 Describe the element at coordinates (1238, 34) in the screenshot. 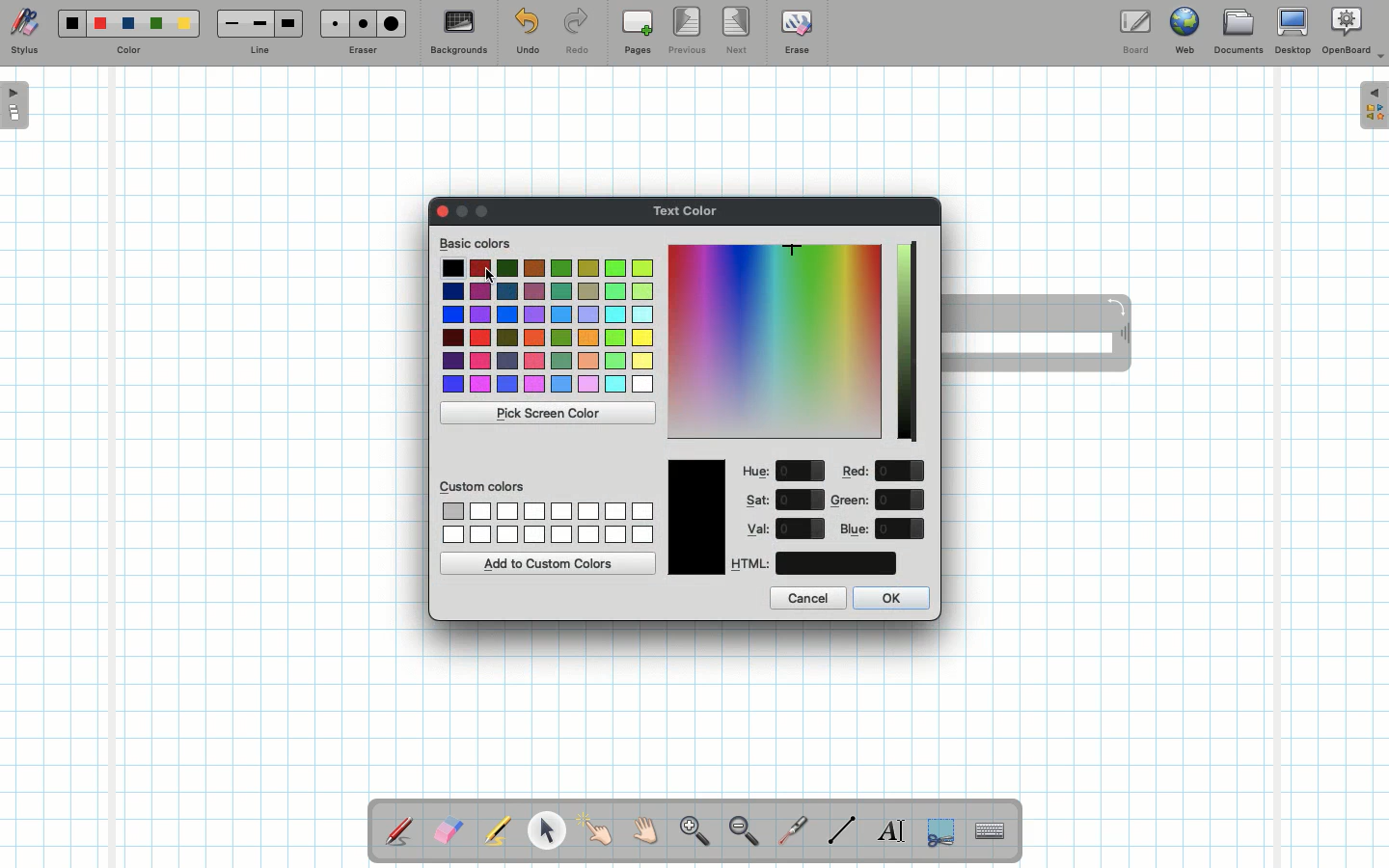

I see `Documents` at that location.